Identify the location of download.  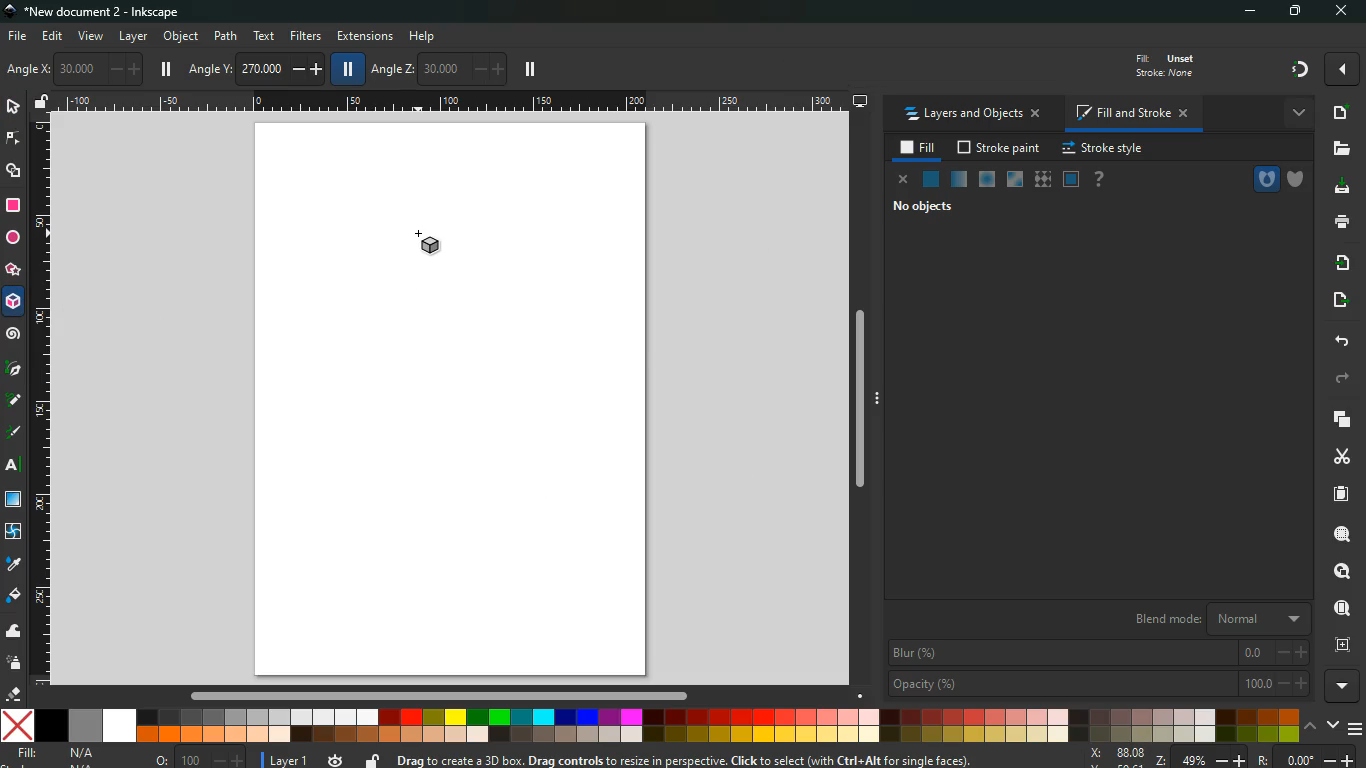
(1338, 187).